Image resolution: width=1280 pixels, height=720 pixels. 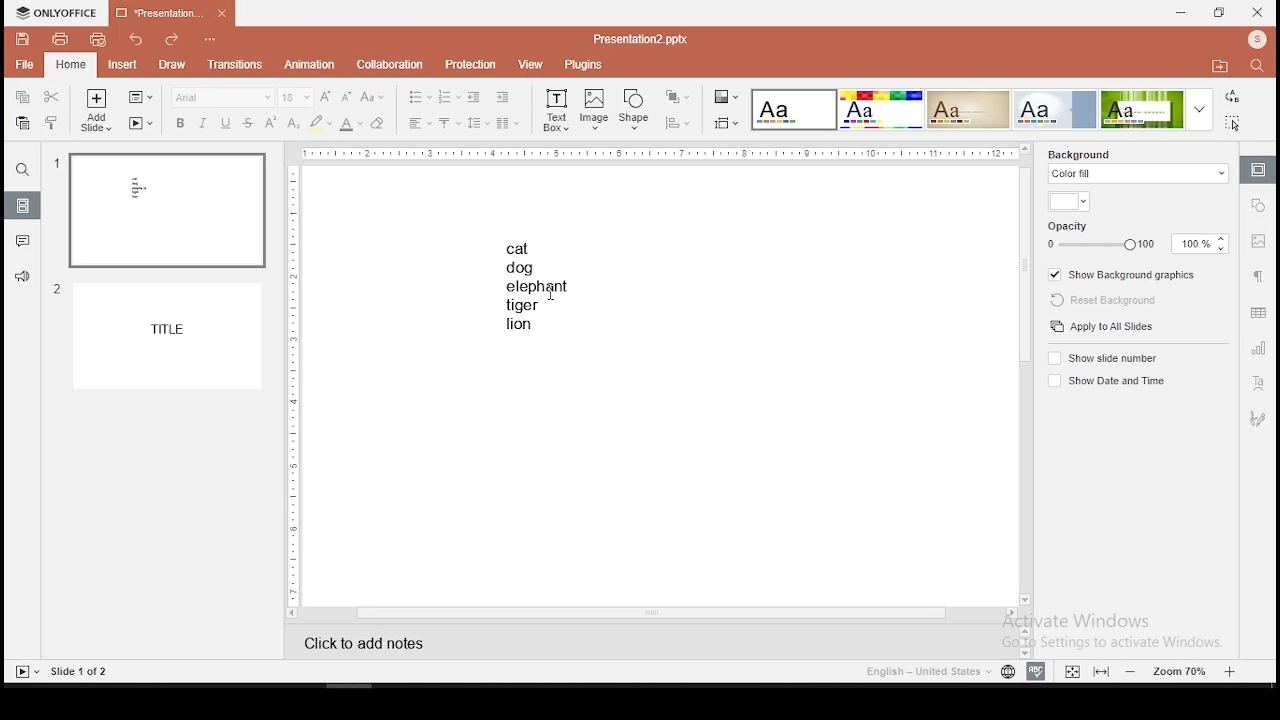 I want to click on image settings, so click(x=1258, y=240).